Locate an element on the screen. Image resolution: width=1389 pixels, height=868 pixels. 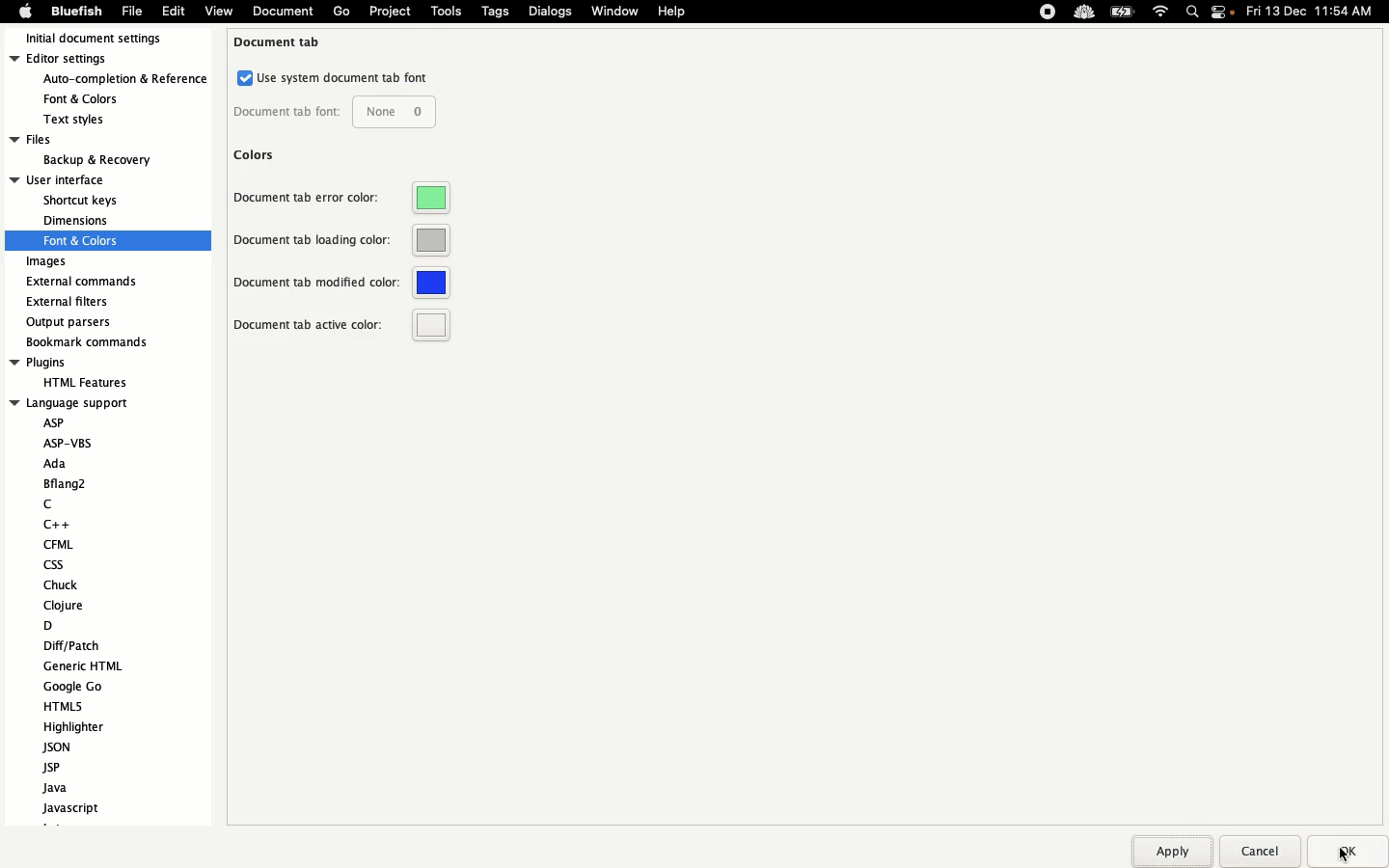
Project is located at coordinates (389, 12).